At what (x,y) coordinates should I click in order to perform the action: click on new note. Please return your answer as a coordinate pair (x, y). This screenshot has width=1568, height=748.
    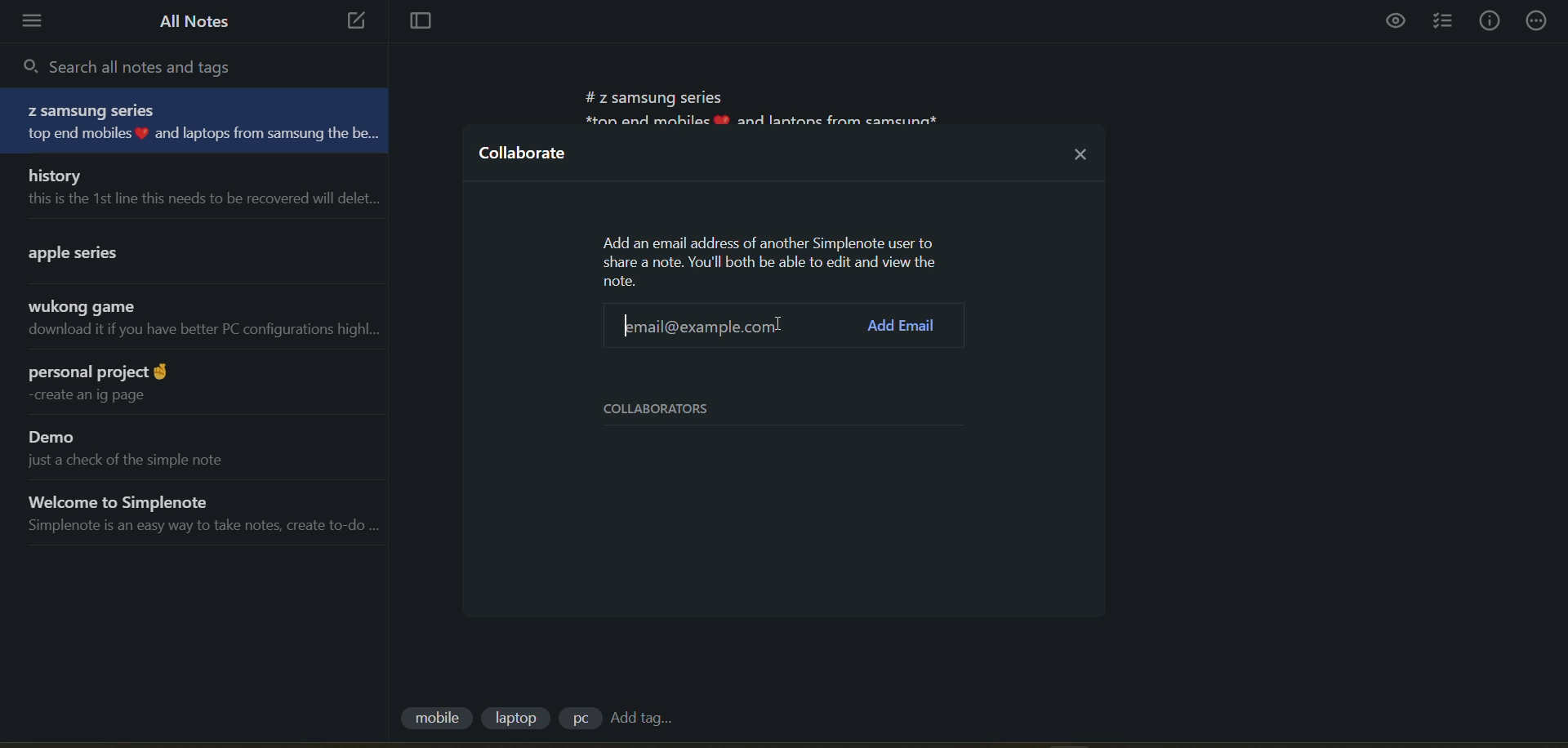
    Looking at the image, I should click on (351, 22).